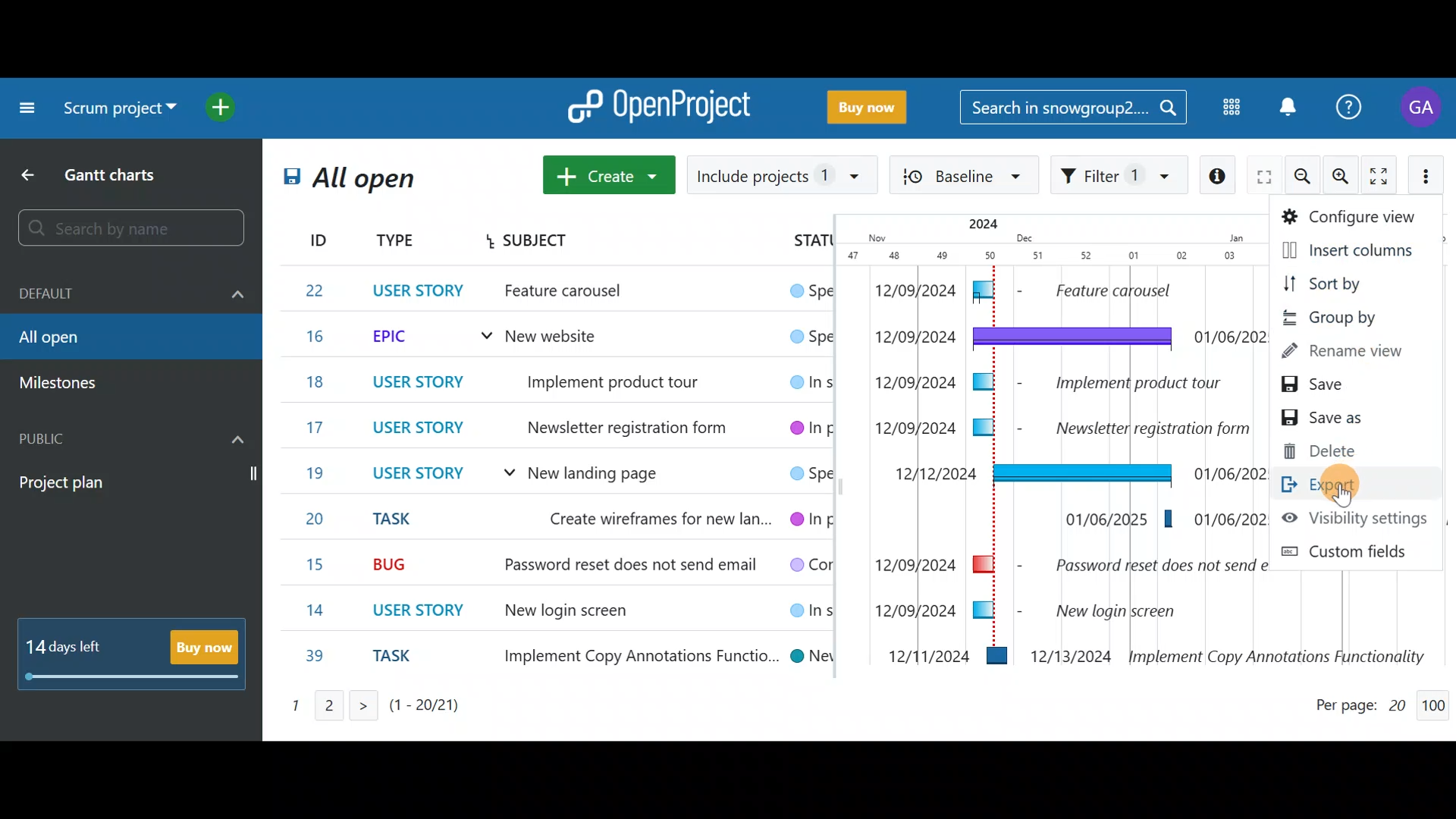 This screenshot has height=819, width=1456. I want to click on 22, so click(318, 290).